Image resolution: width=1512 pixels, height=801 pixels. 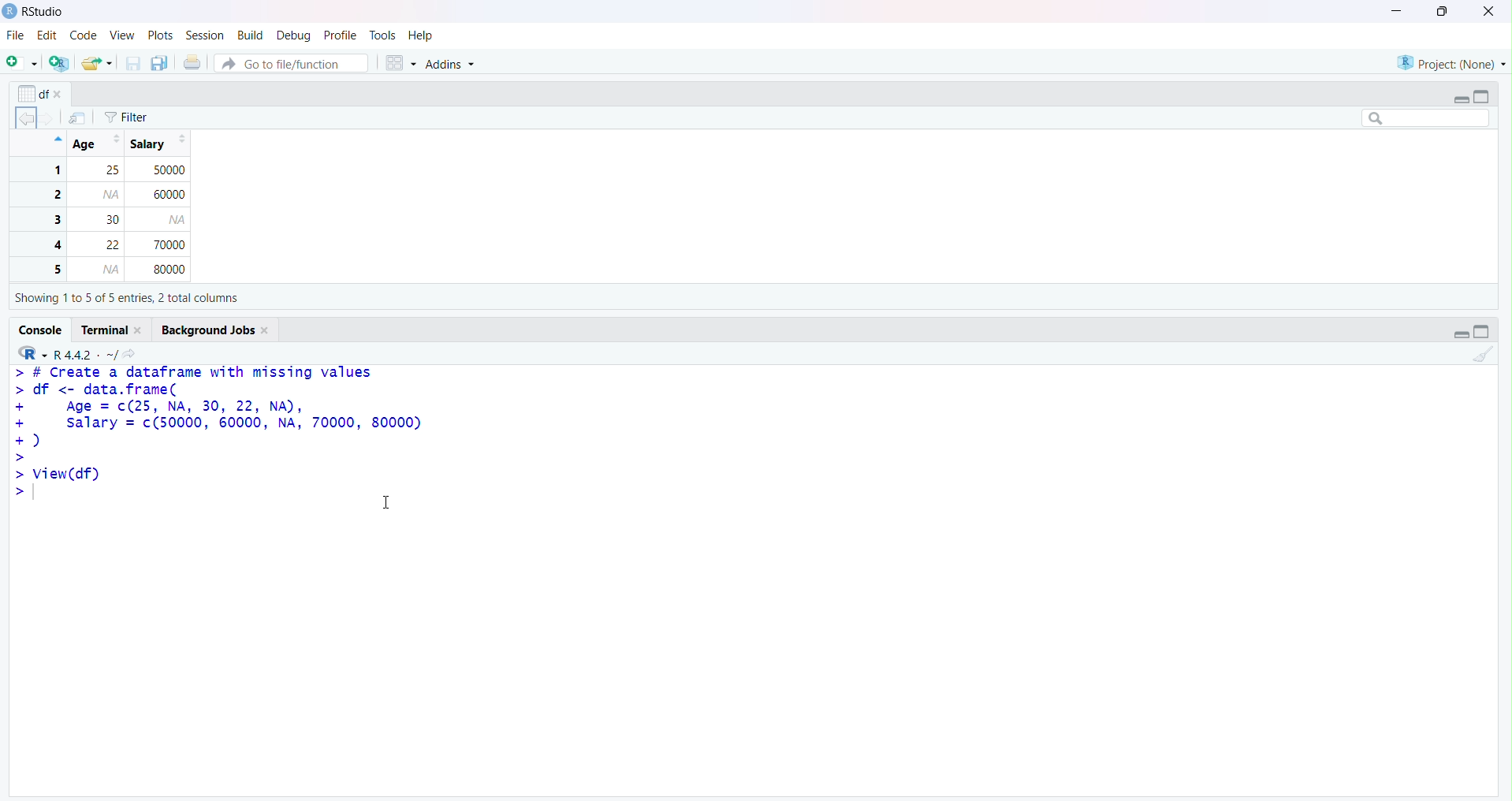 I want to click on Session, so click(x=203, y=35).